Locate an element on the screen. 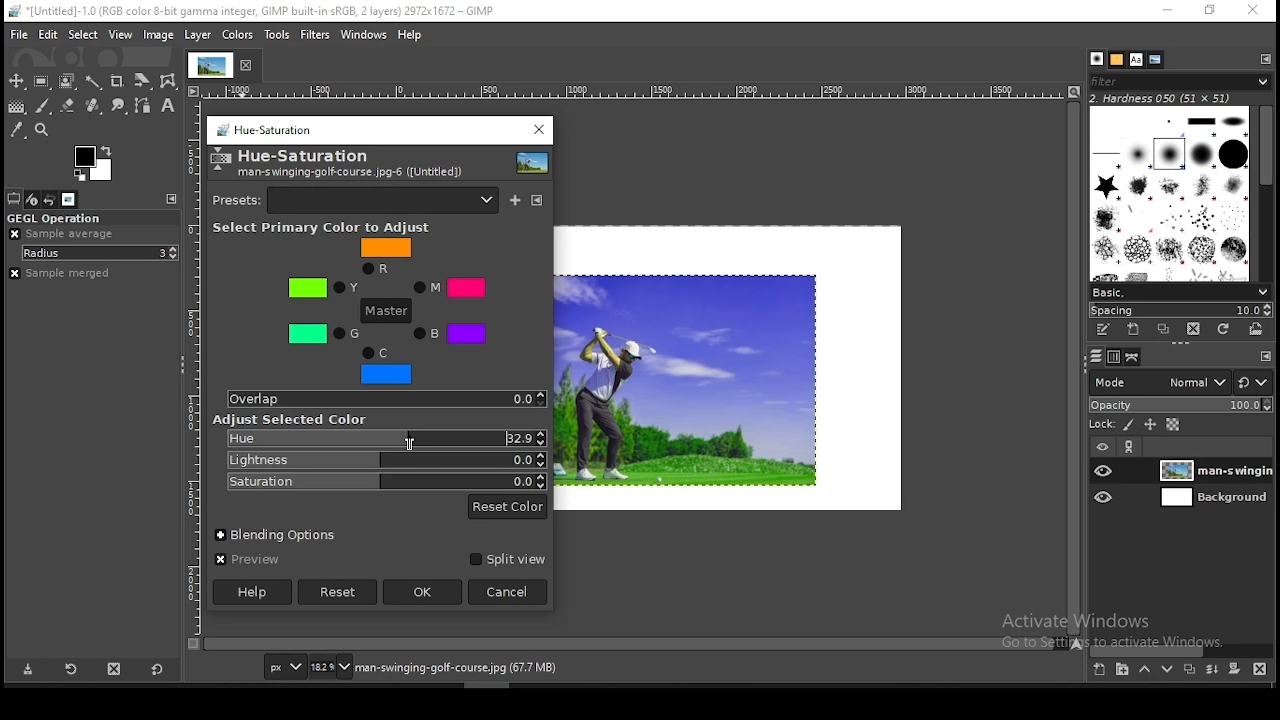 The height and width of the screenshot is (720, 1280). close window is located at coordinates (536, 131).